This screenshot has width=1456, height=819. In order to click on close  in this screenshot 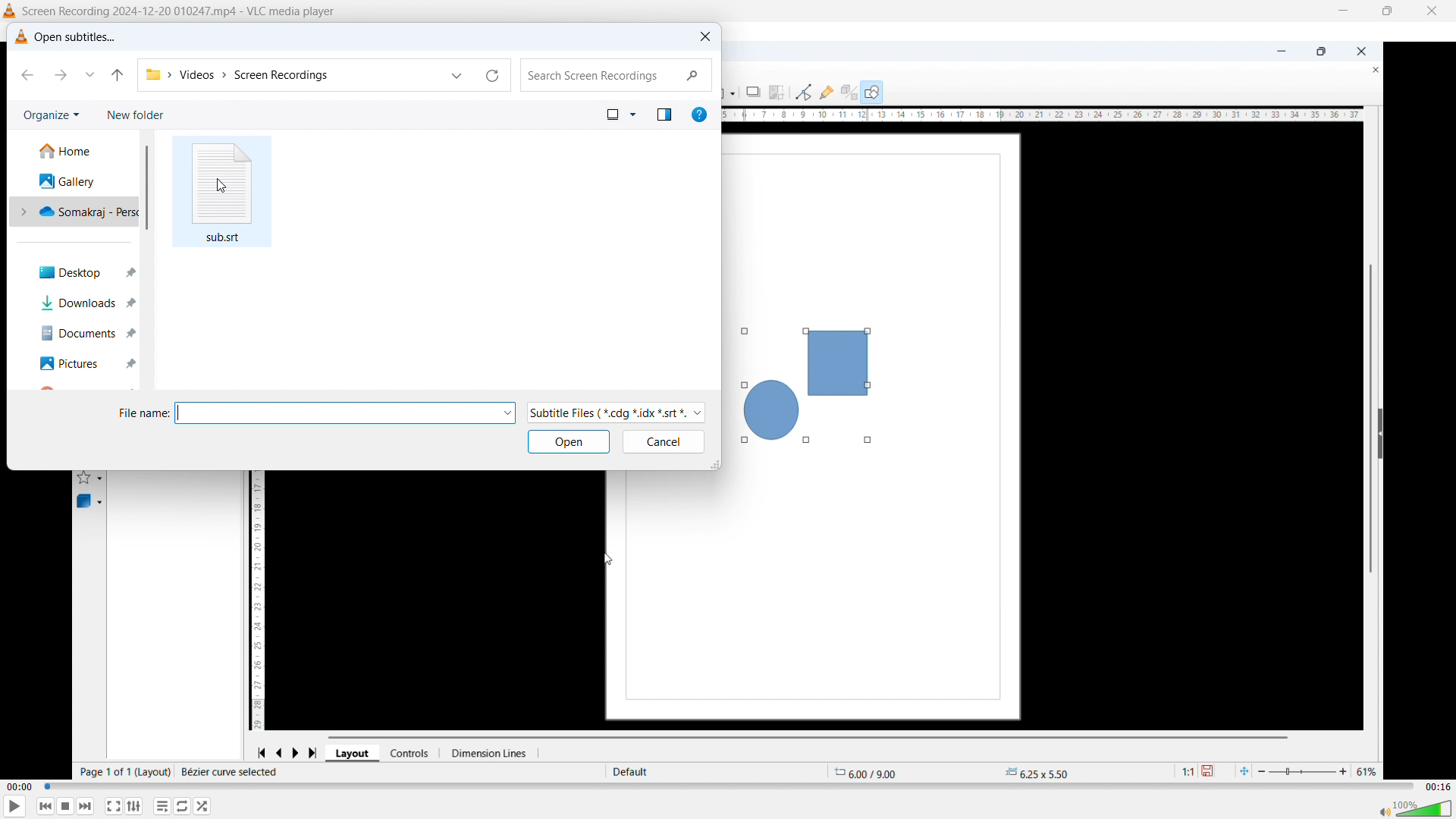, I will do `click(1432, 11)`.